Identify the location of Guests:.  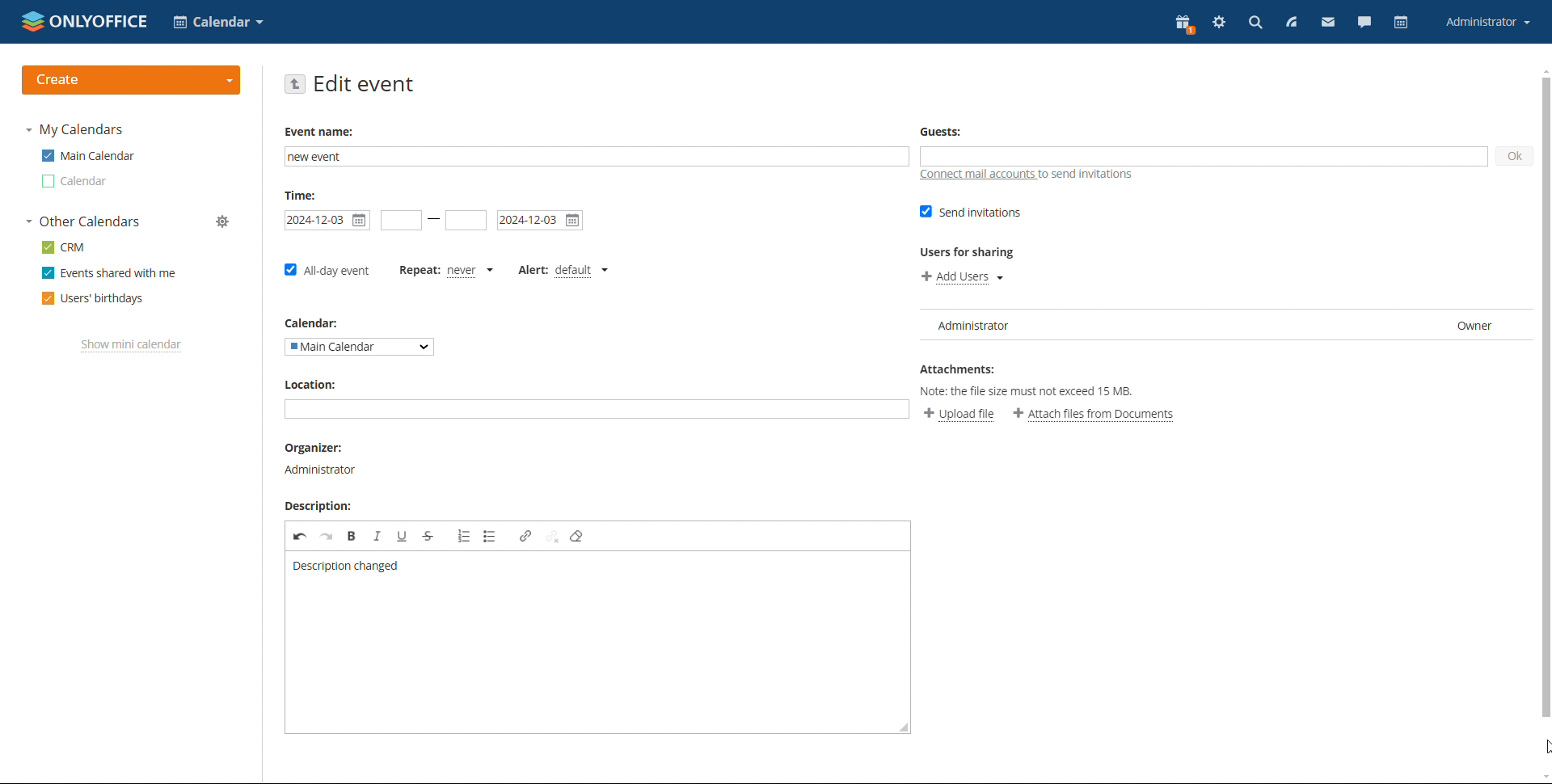
(943, 131).